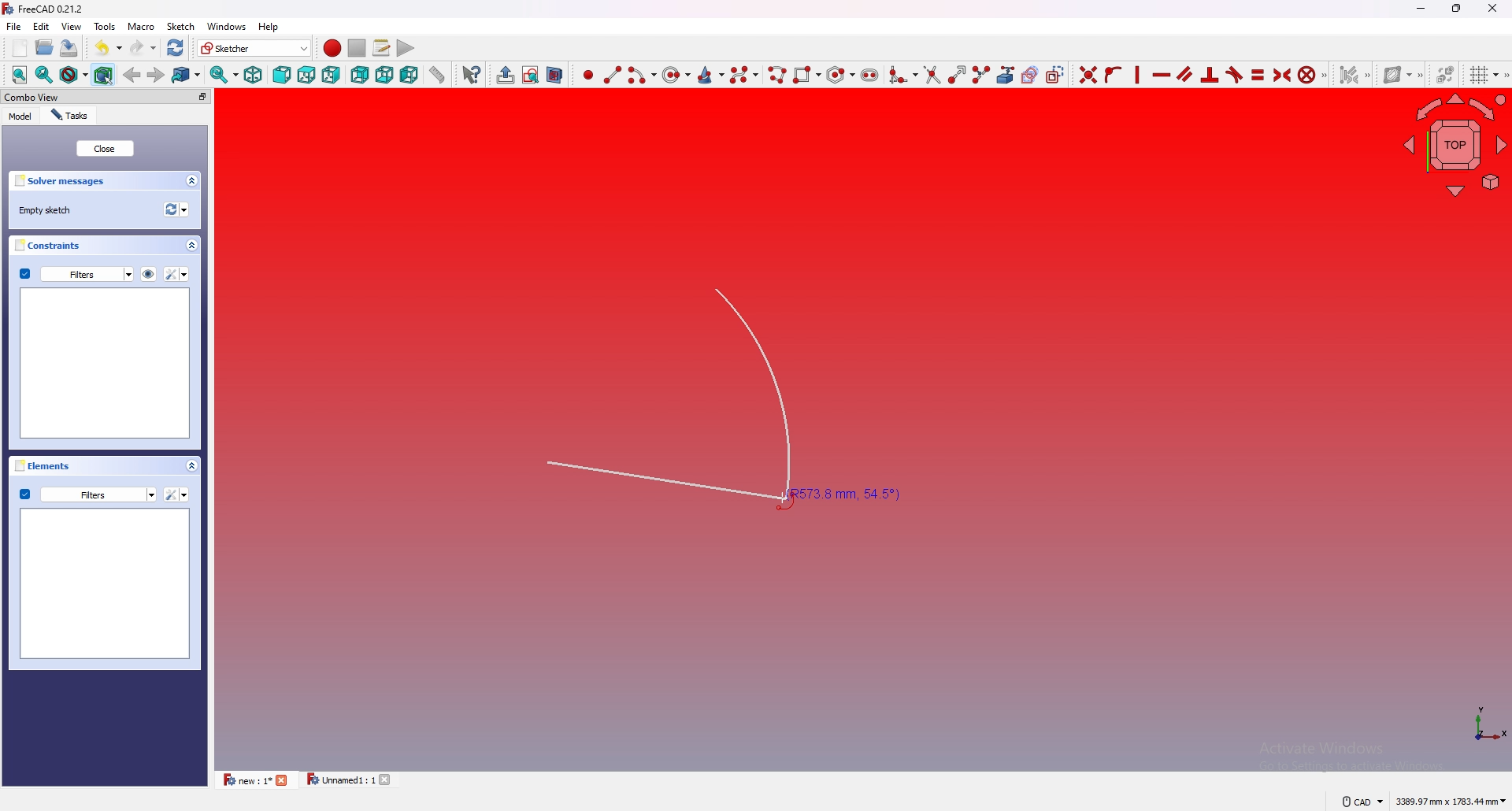 The width and height of the screenshot is (1512, 811). Describe the element at coordinates (133, 75) in the screenshot. I see `back` at that location.